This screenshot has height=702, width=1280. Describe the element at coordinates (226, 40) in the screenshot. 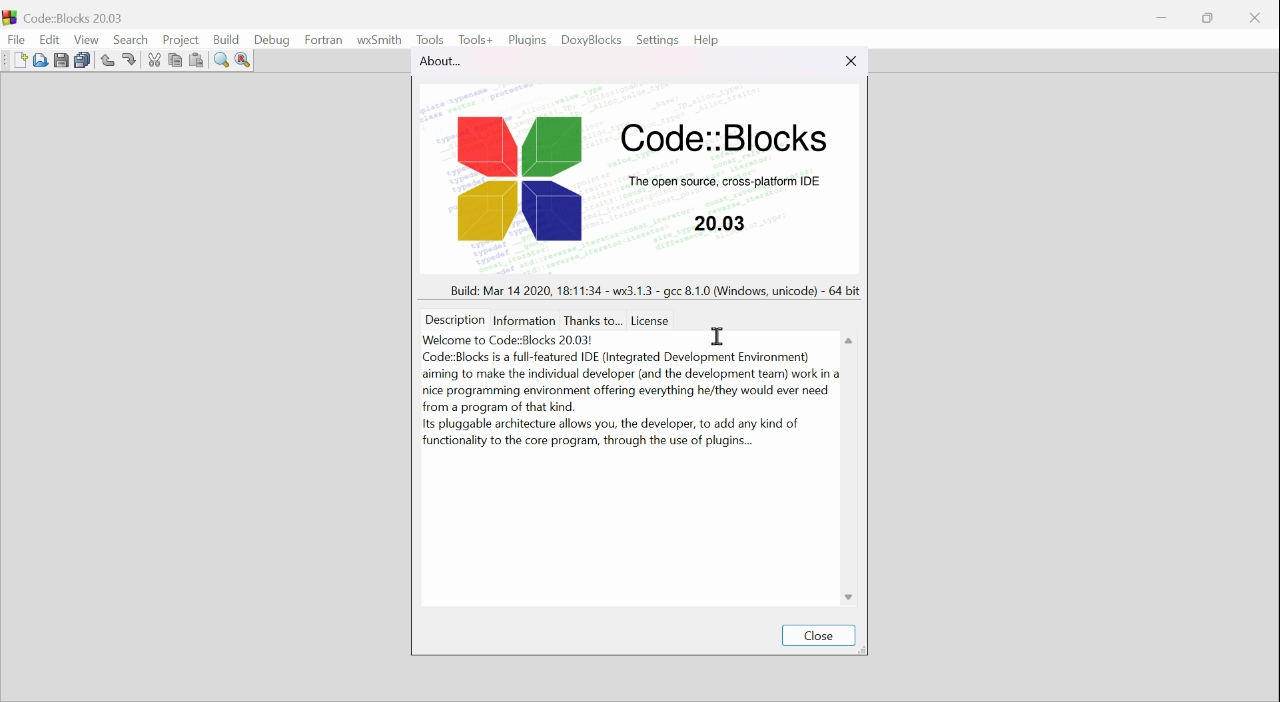

I see `Build` at that location.